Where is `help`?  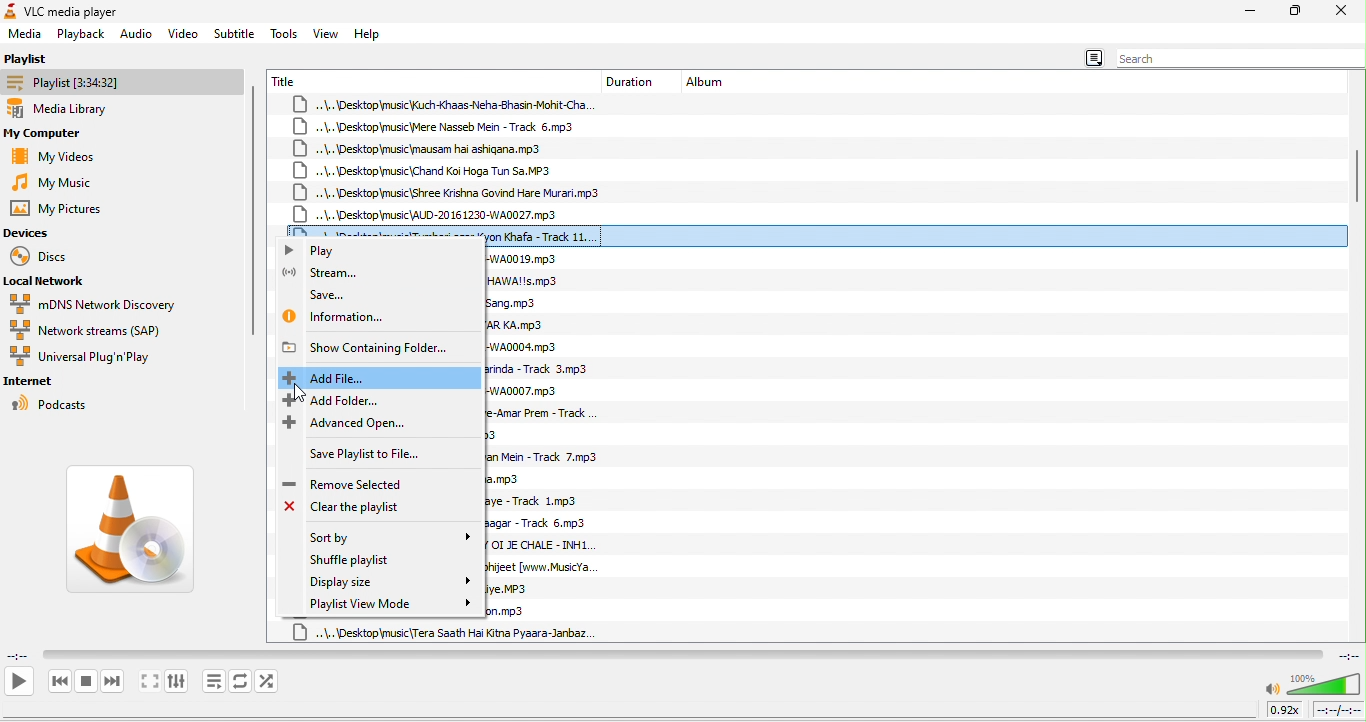 help is located at coordinates (369, 34).